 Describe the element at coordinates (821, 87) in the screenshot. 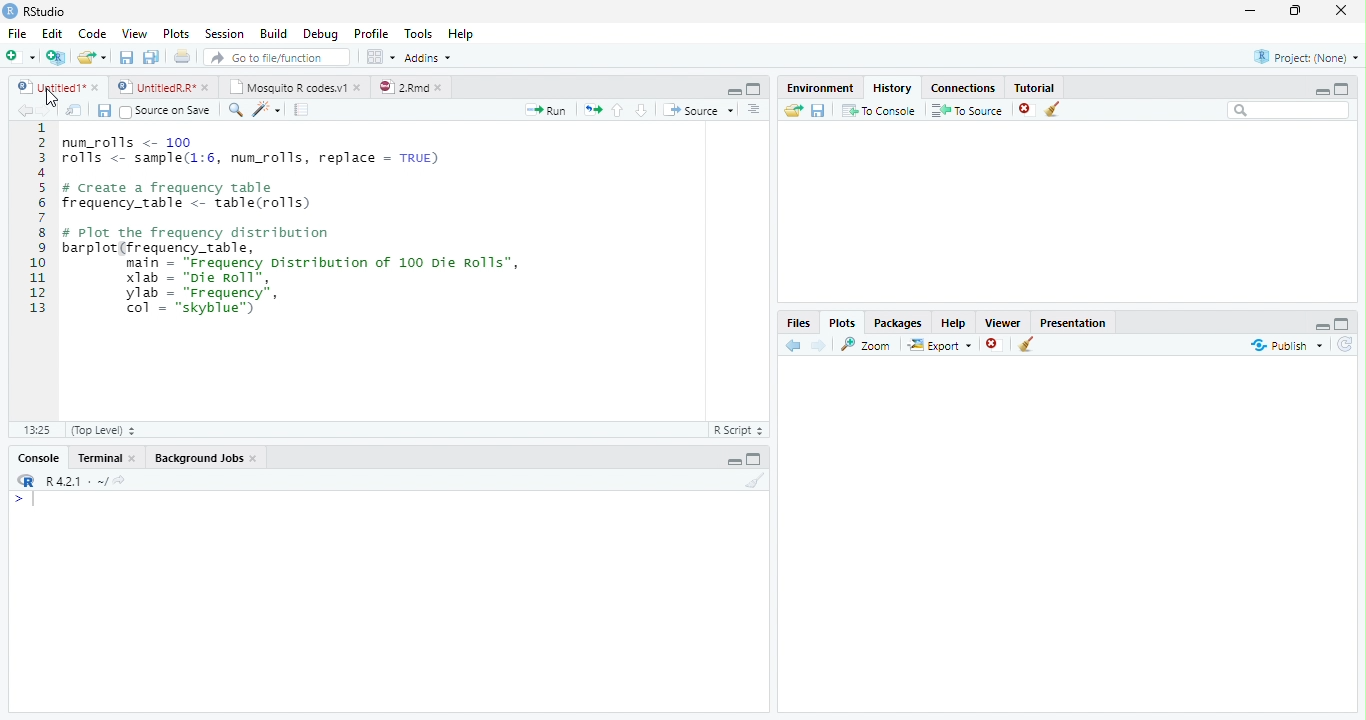

I see `Environment` at that location.